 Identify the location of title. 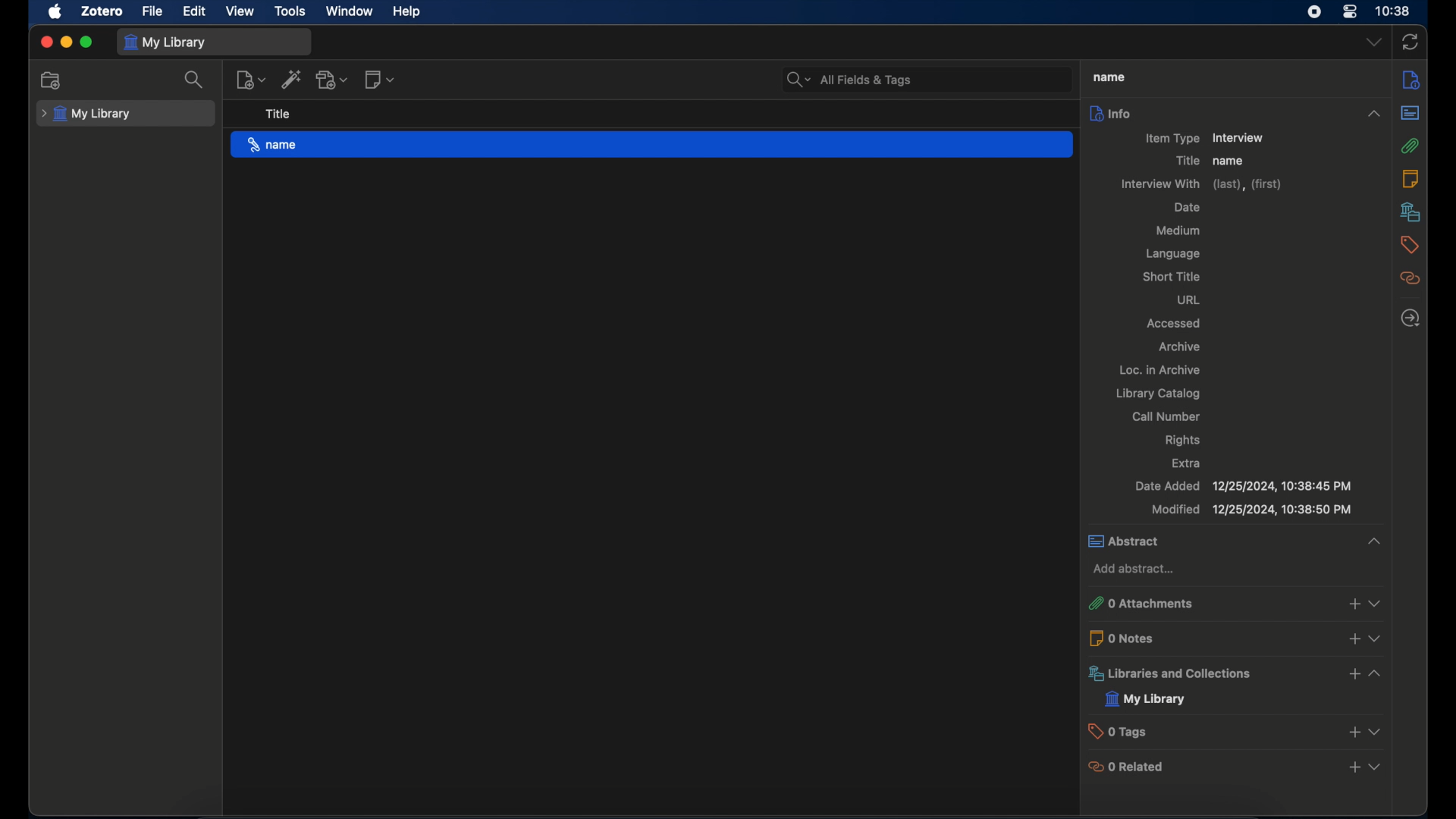
(278, 115).